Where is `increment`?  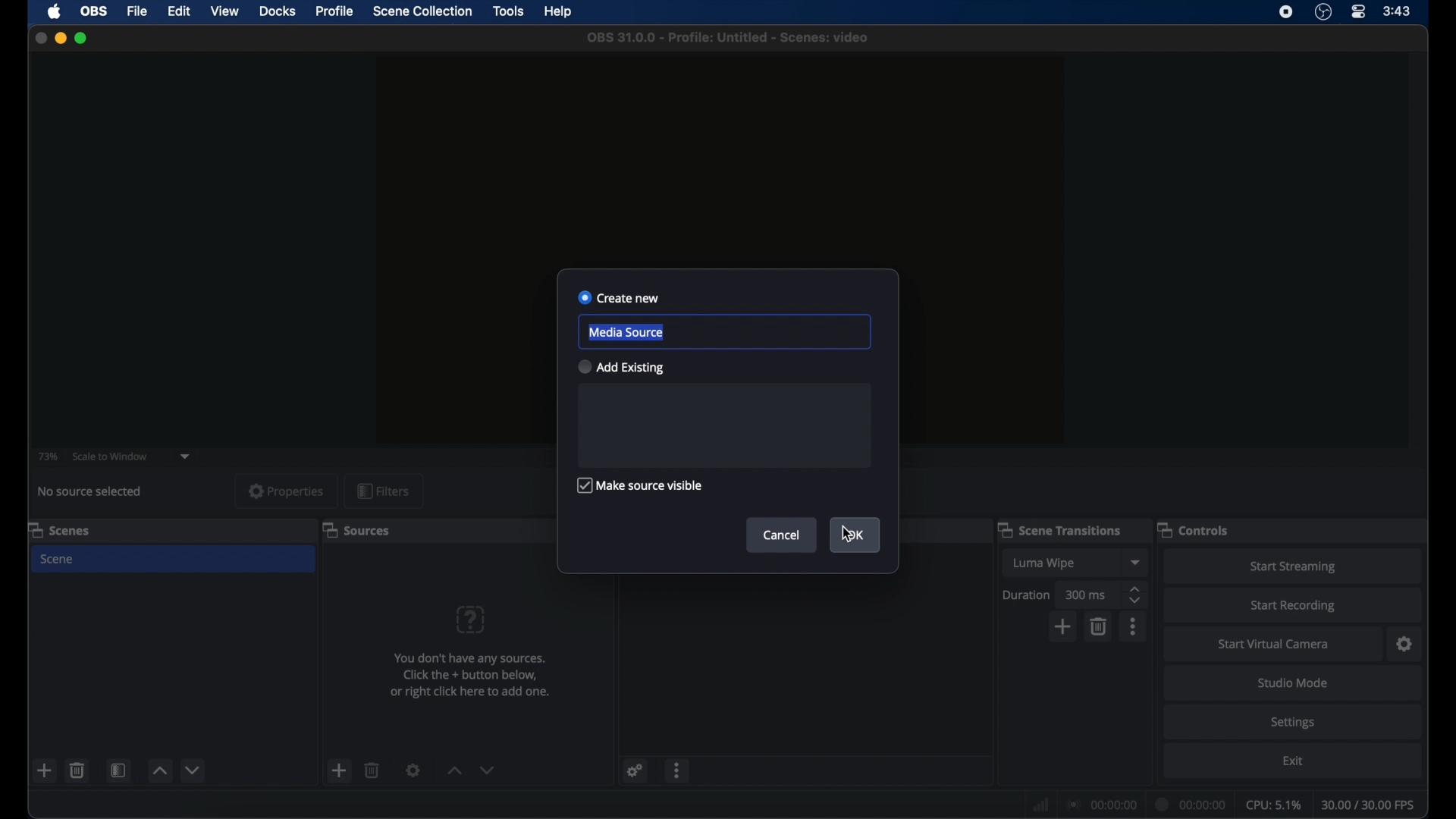 increment is located at coordinates (454, 771).